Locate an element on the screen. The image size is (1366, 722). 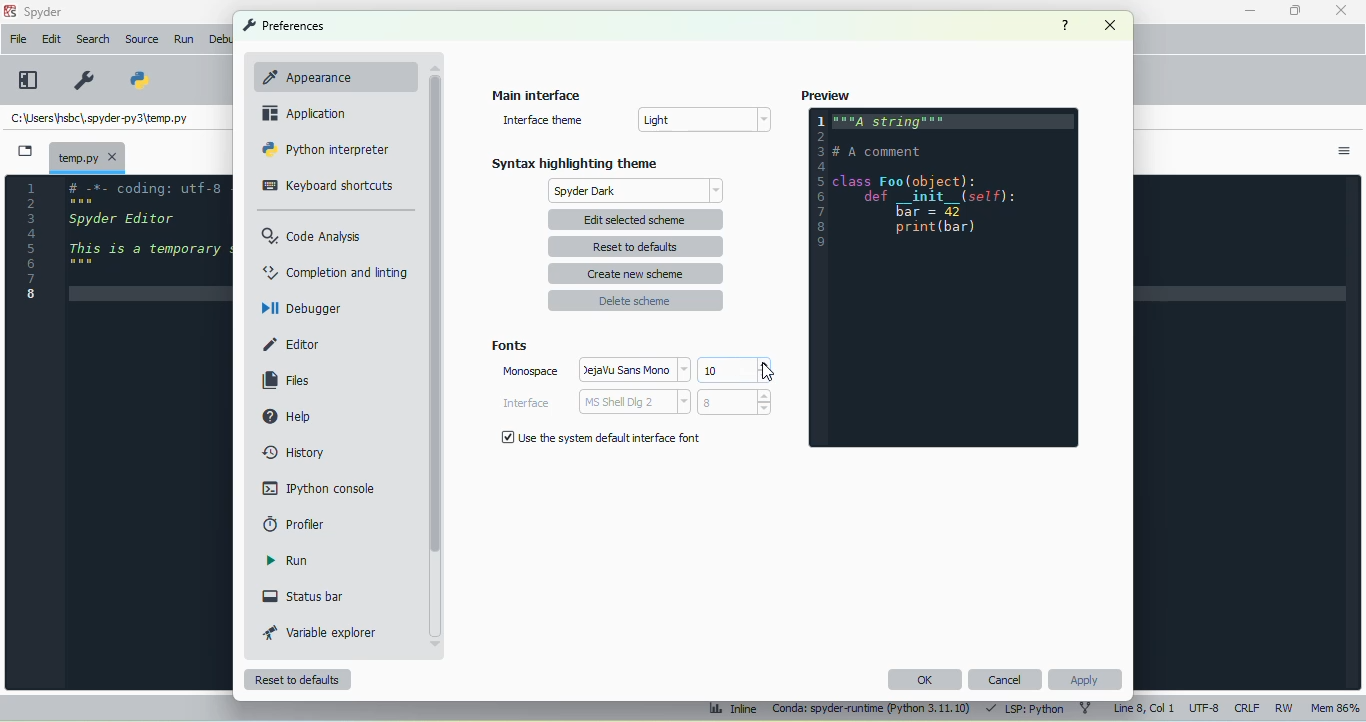
interface is located at coordinates (526, 403).